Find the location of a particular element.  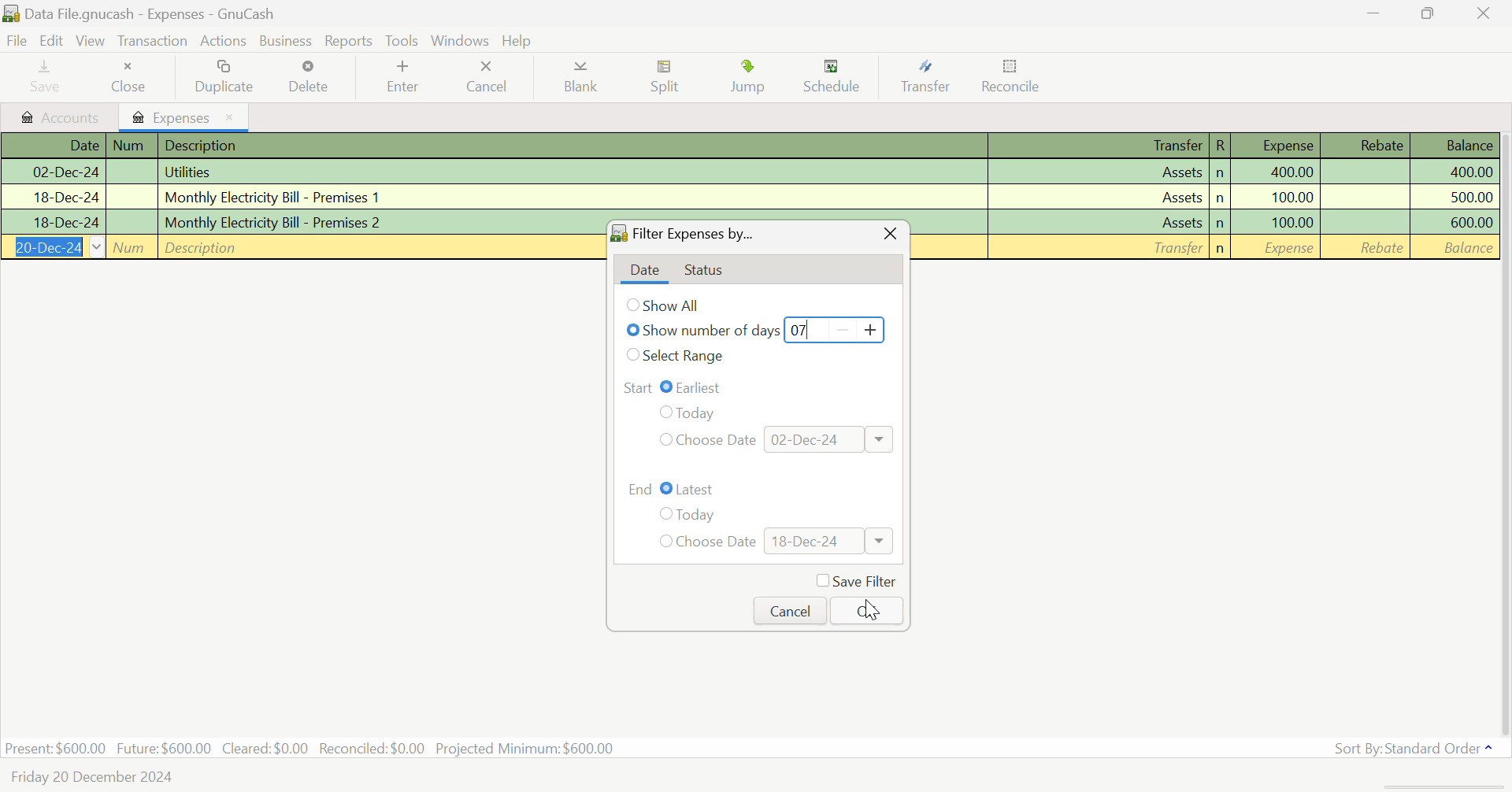

Close is located at coordinates (1484, 13).